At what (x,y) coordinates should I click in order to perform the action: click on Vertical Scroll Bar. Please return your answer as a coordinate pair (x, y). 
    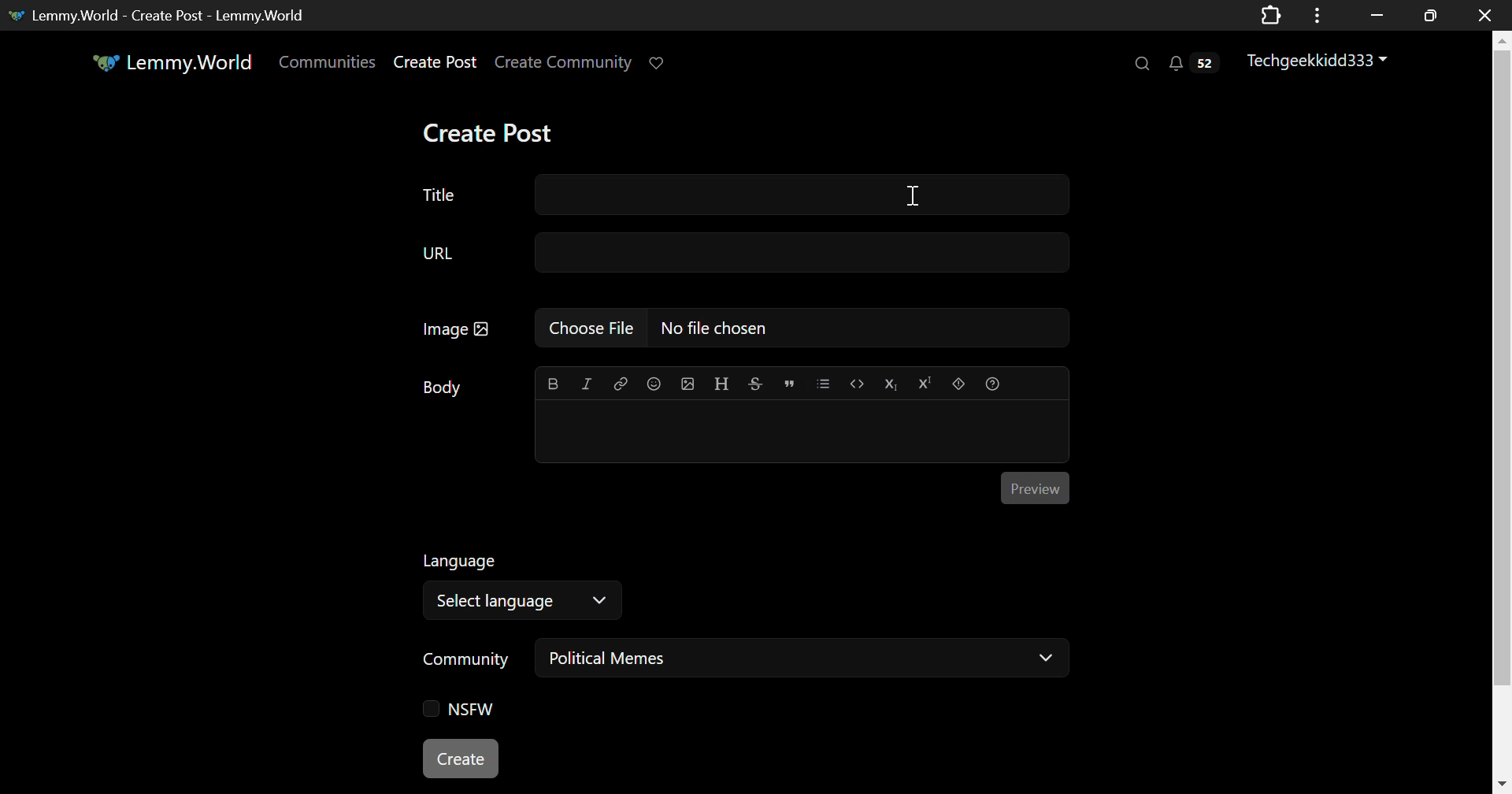
    Looking at the image, I should click on (1501, 415).